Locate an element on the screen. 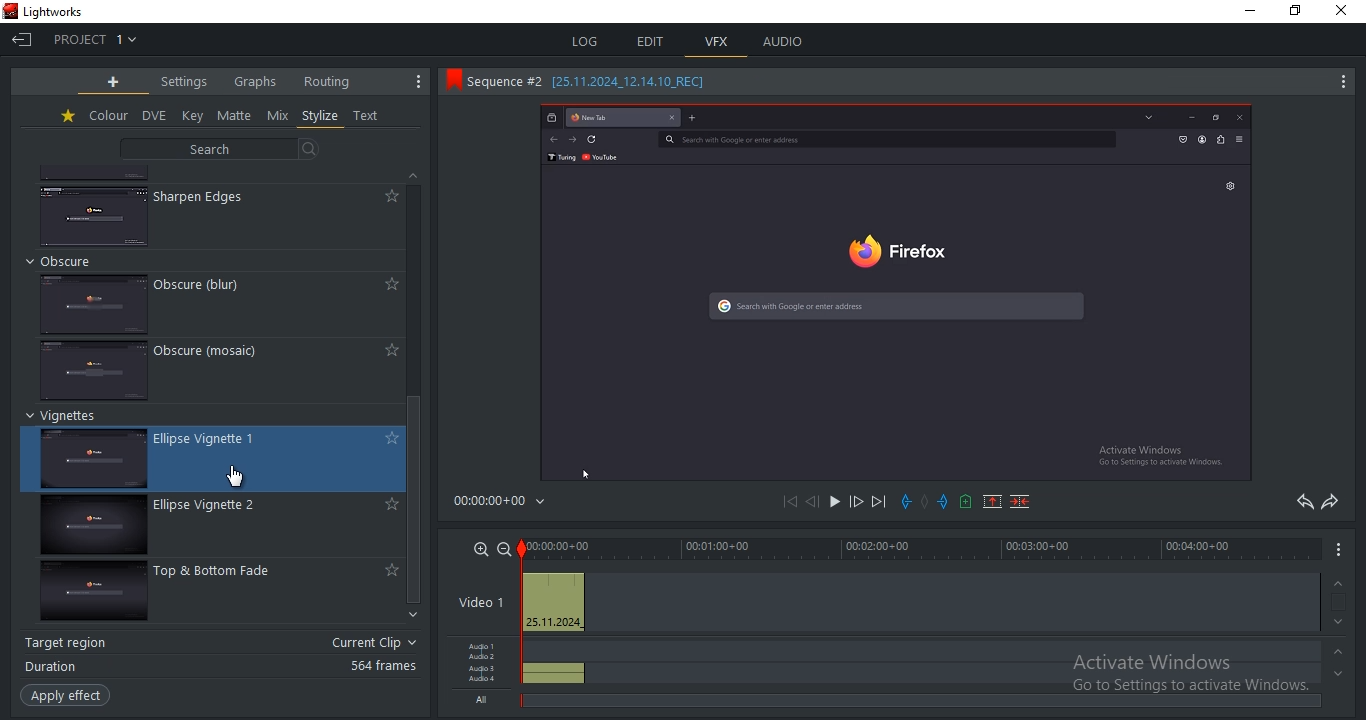 The width and height of the screenshot is (1366, 720). Show: Project 1 is located at coordinates (99, 39).